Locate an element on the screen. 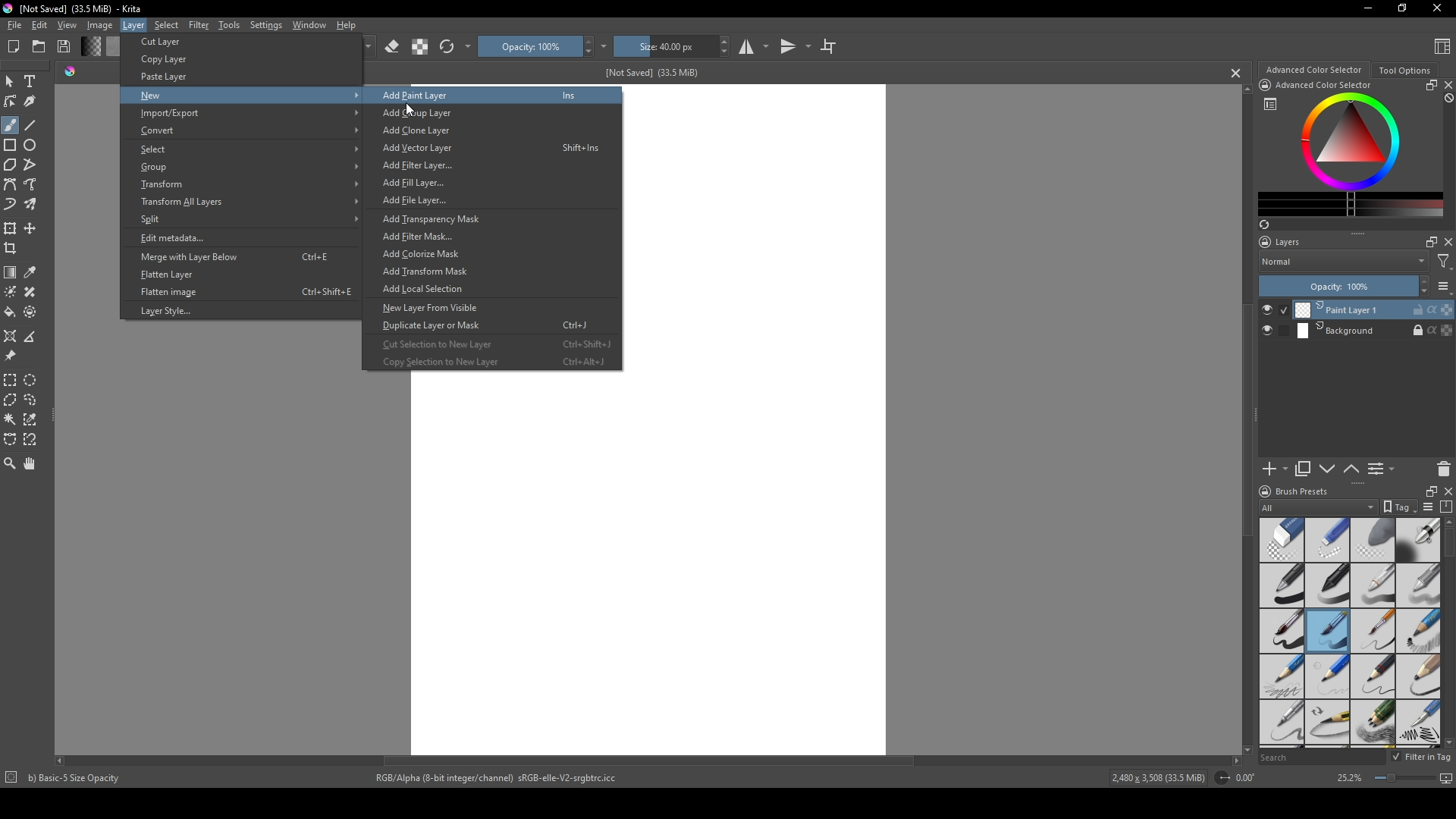 The width and height of the screenshot is (1456, 819). shade is located at coordinates (70, 71).